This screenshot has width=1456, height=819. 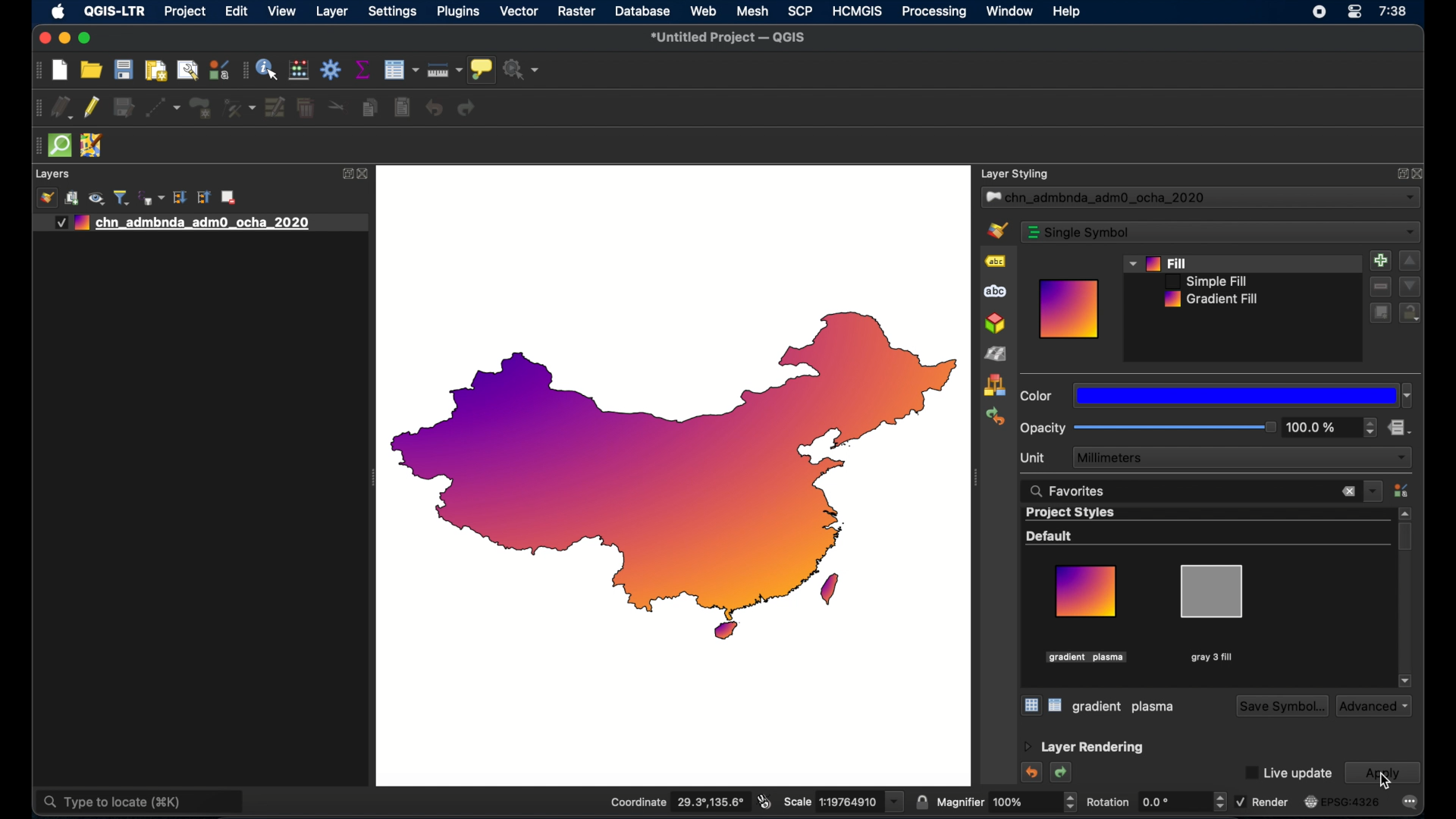 What do you see at coordinates (1399, 428) in the screenshot?
I see `data defined override` at bounding box center [1399, 428].